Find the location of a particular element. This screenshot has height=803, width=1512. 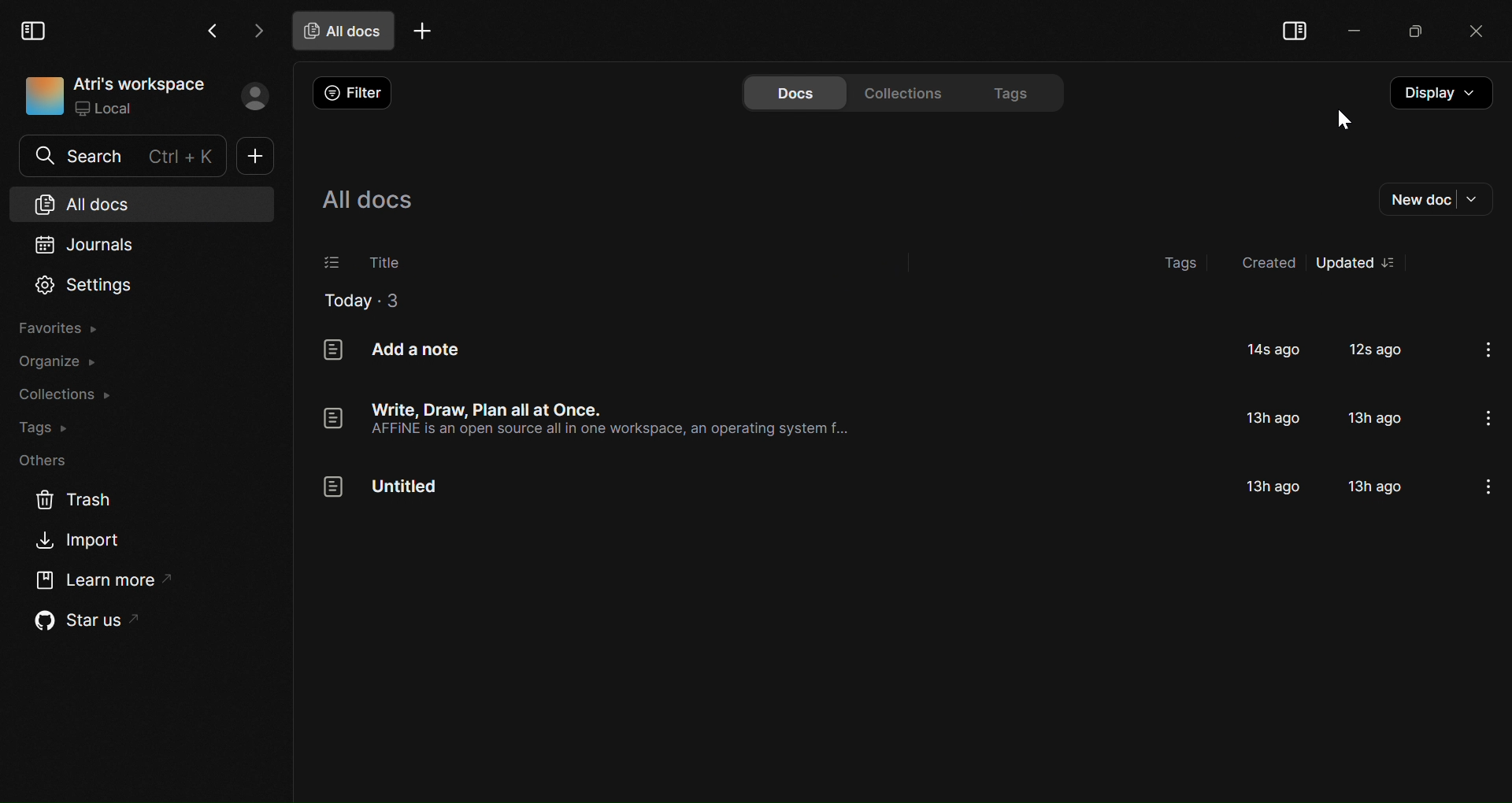

Select documents is located at coordinates (330, 263).